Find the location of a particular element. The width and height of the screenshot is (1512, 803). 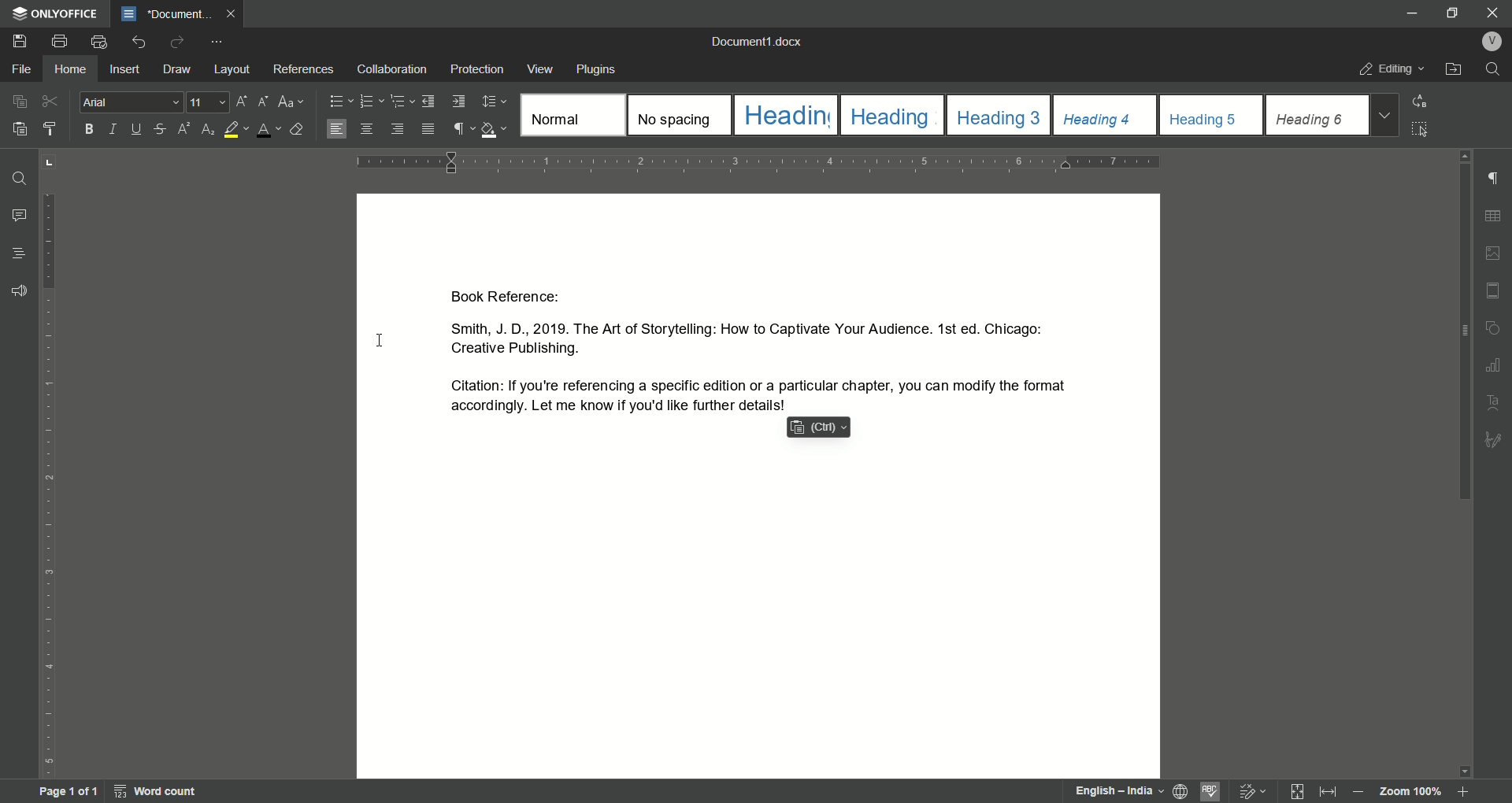

fit to page is located at coordinates (1292, 791).